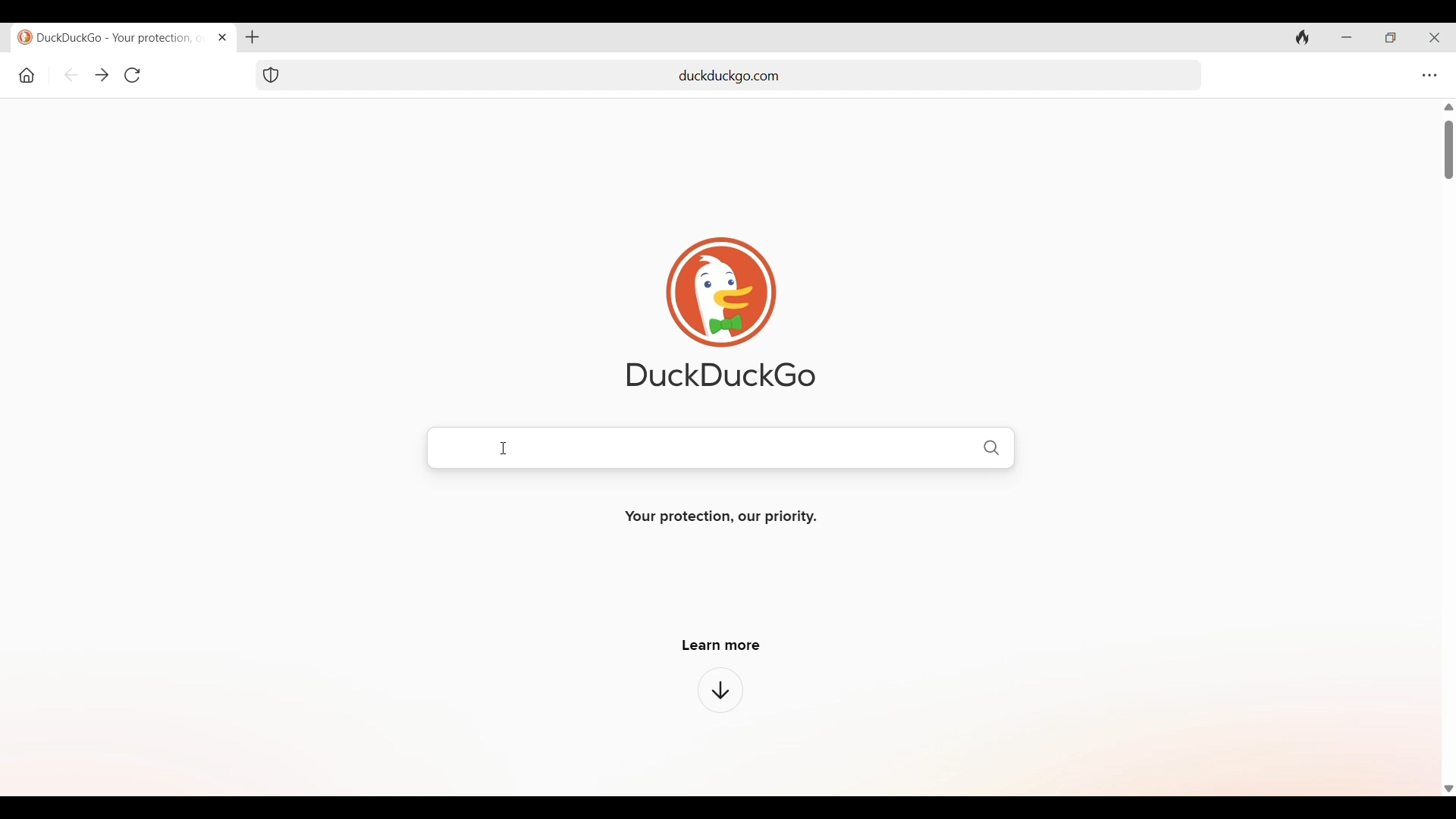 Image resolution: width=1456 pixels, height=819 pixels. What do you see at coordinates (717, 447) in the screenshot?
I see `Duckduckgo search bar` at bounding box center [717, 447].